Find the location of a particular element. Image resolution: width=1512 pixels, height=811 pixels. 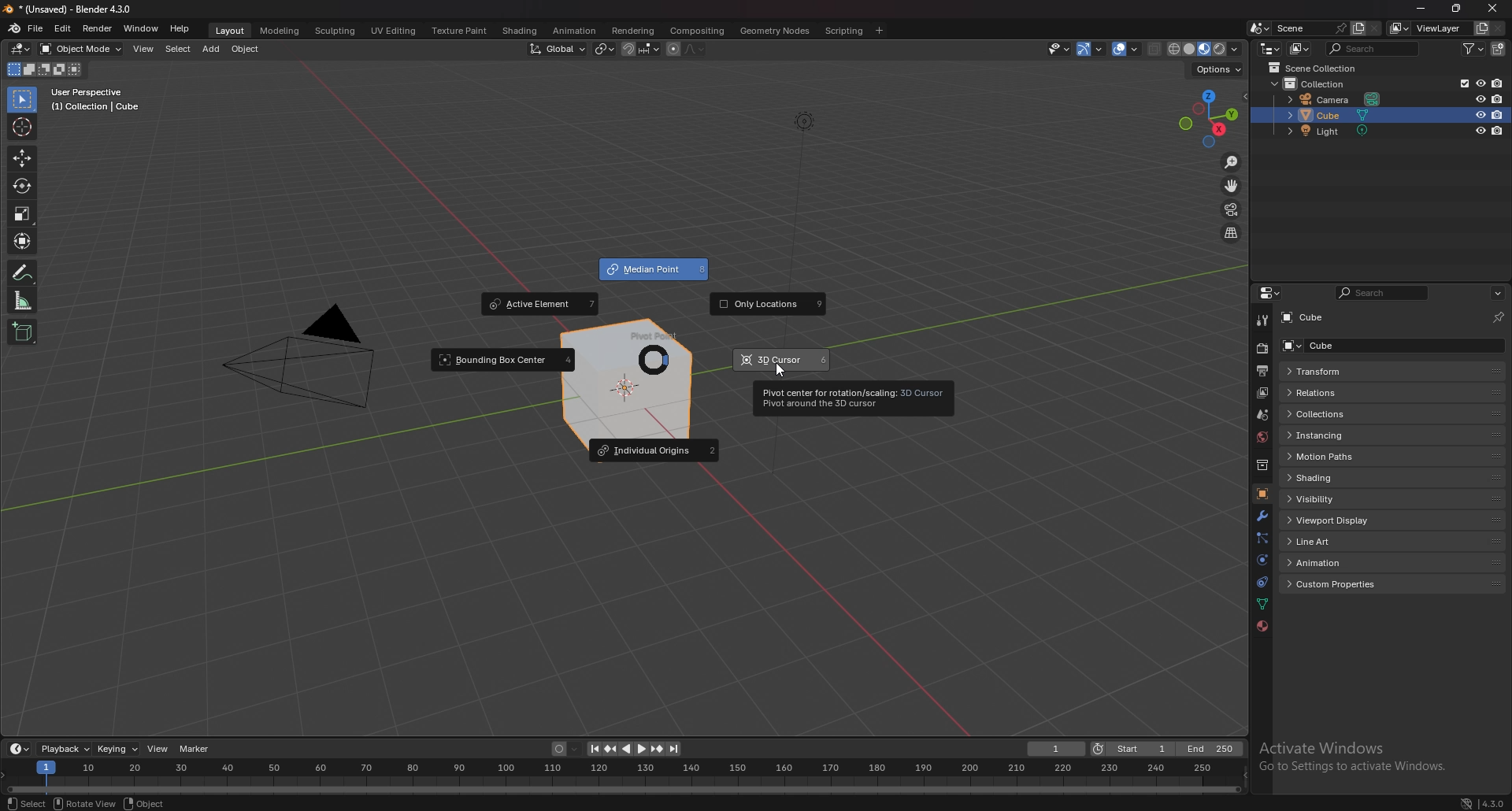

transformation orientation is located at coordinates (558, 49).